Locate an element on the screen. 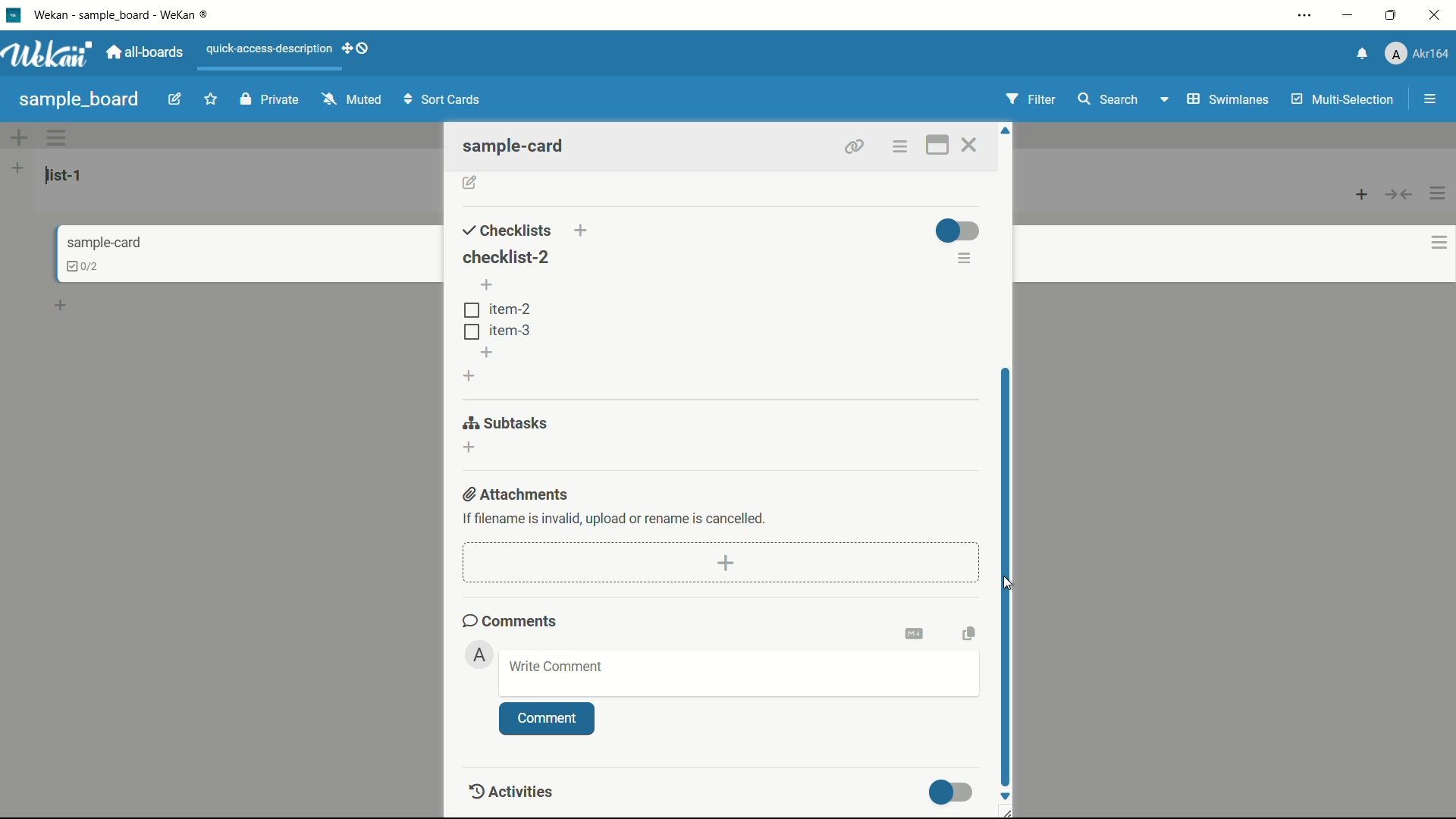 The height and width of the screenshot is (819, 1456). write comment  is located at coordinates (556, 667).